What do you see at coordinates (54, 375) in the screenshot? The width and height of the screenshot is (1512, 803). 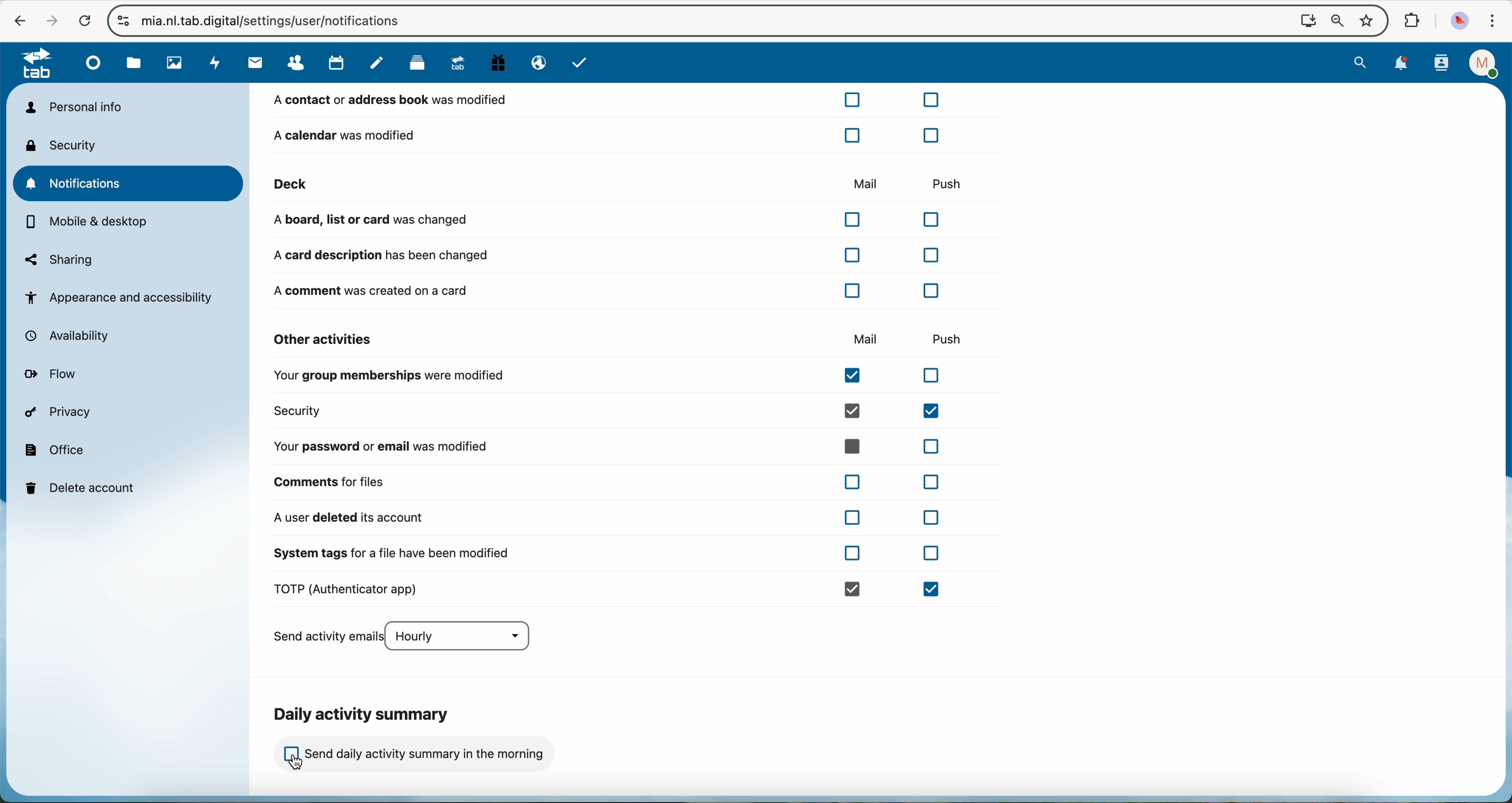 I see `flow` at bounding box center [54, 375].